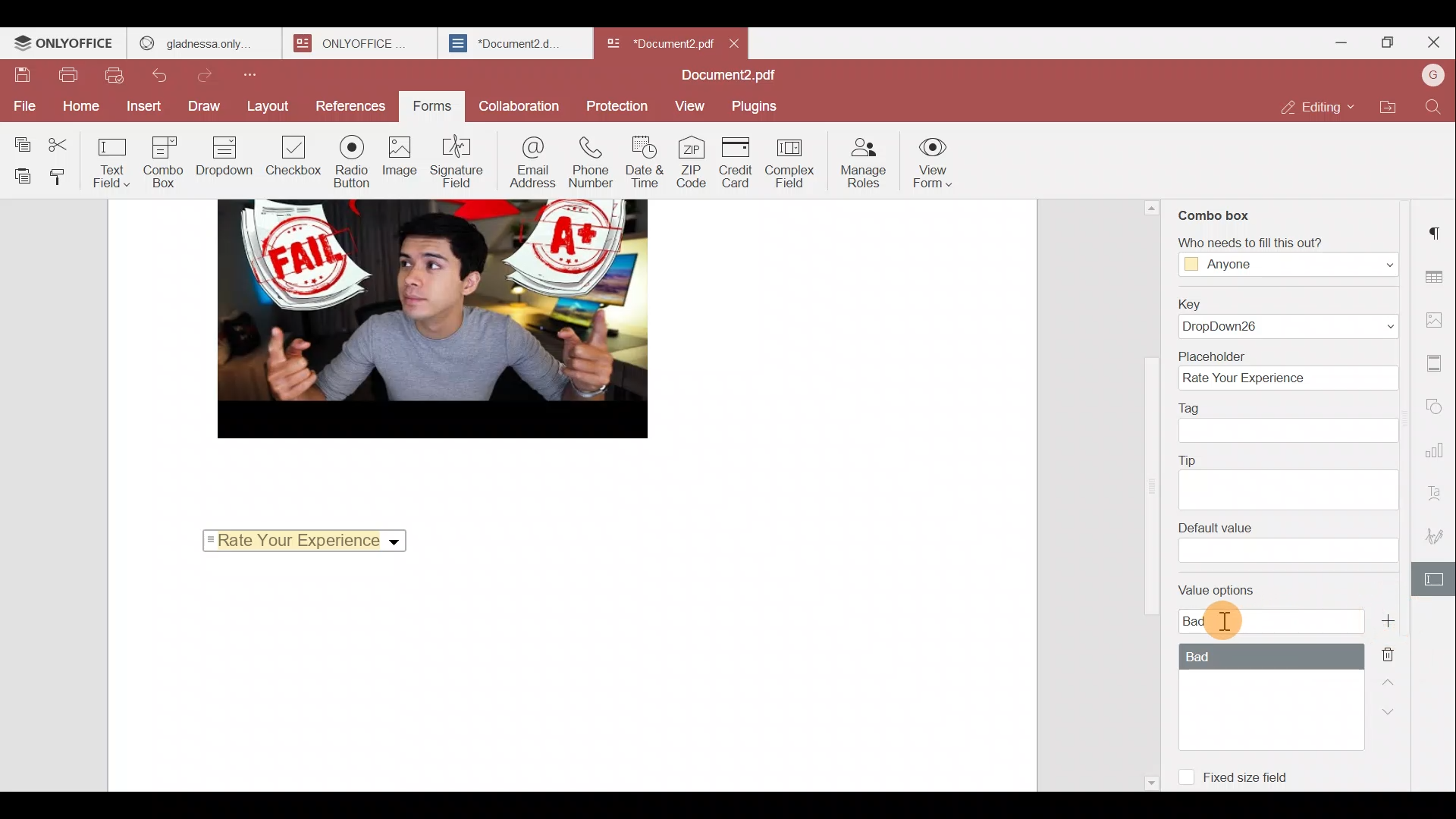  I want to click on Document2.pdf, so click(728, 75).